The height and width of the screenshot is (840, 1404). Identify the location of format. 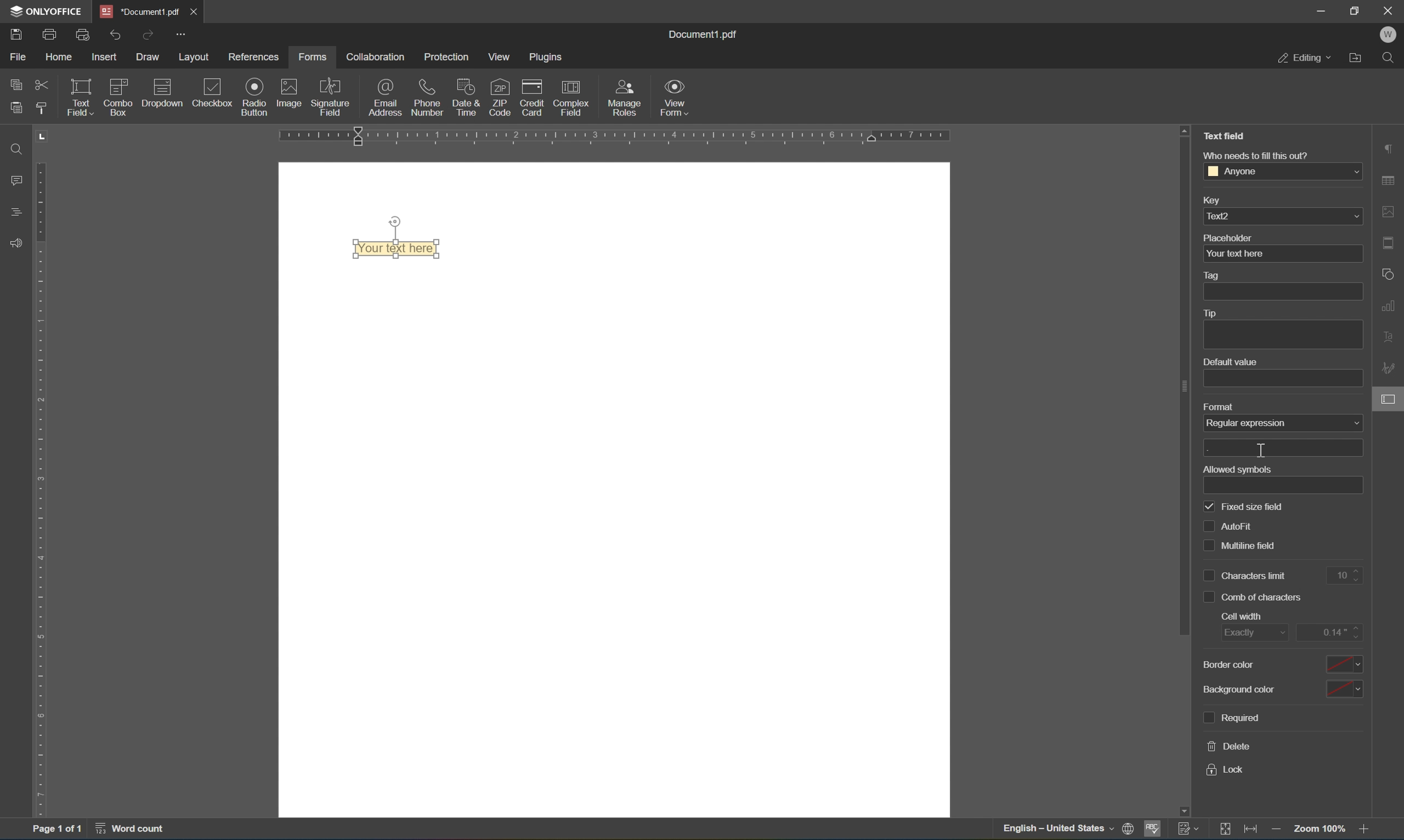
(1216, 406).